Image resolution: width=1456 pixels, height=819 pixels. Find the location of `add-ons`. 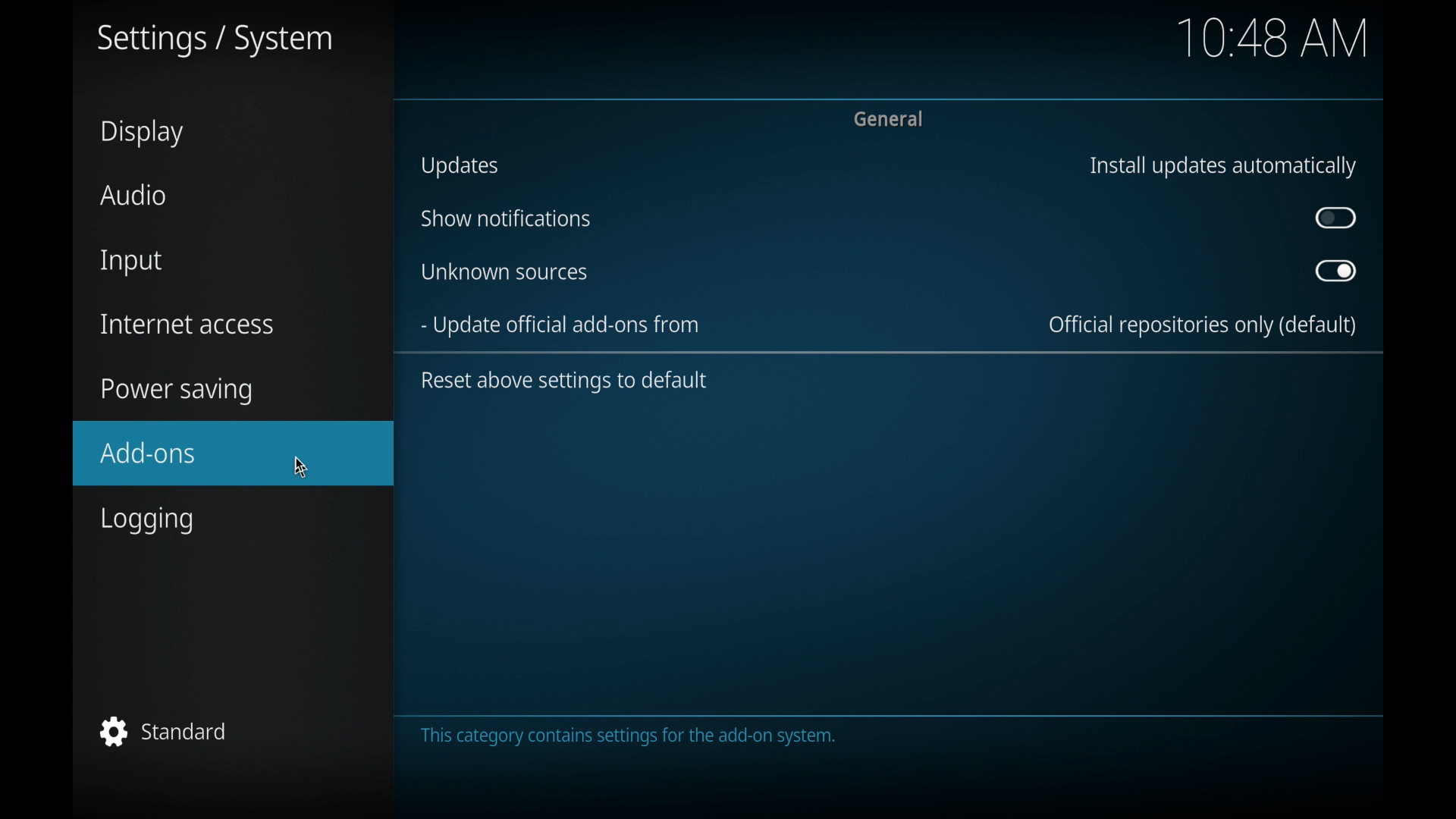

add-ons is located at coordinates (147, 451).